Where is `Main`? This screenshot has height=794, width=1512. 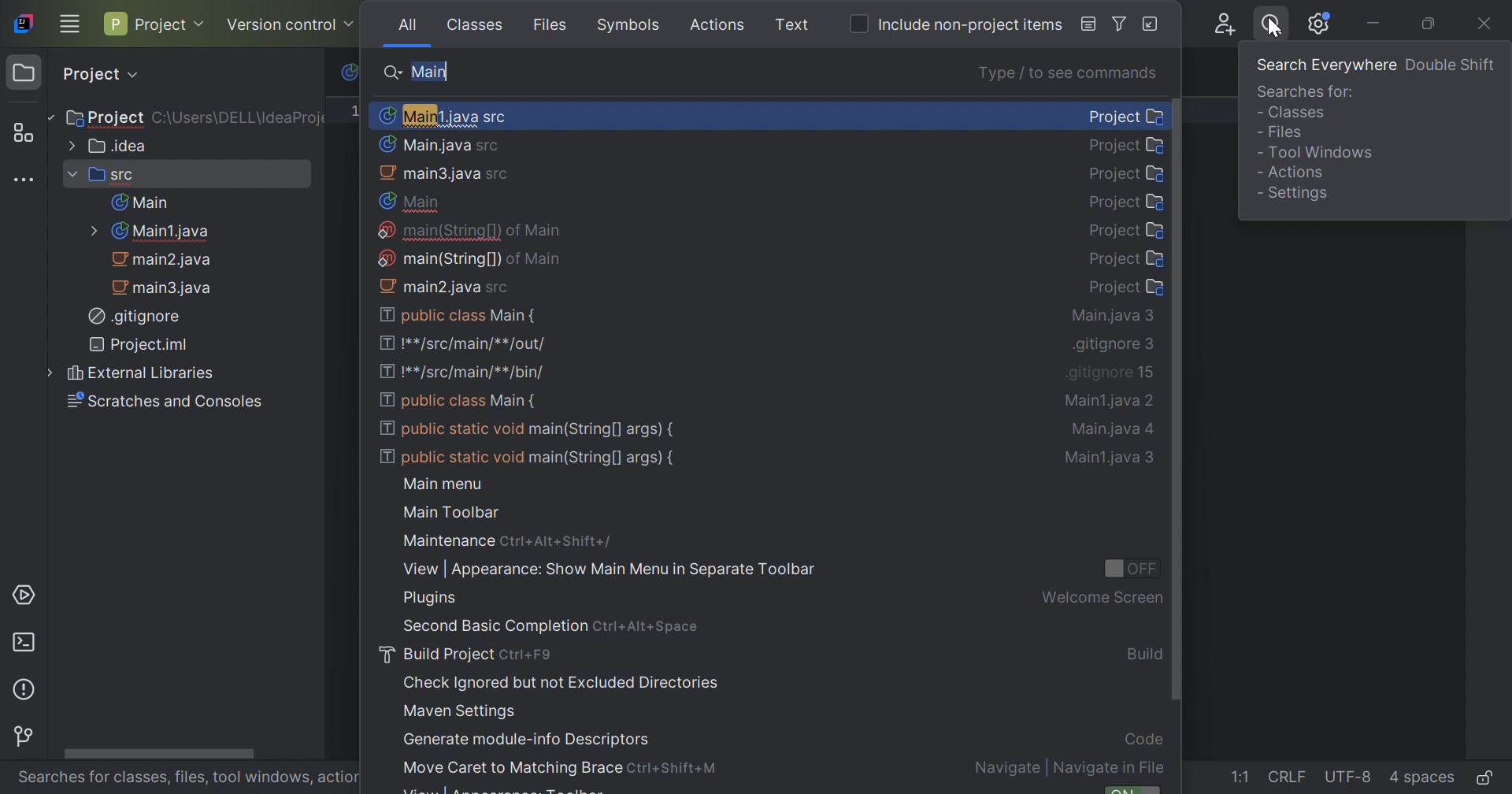
Main is located at coordinates (139, 202).